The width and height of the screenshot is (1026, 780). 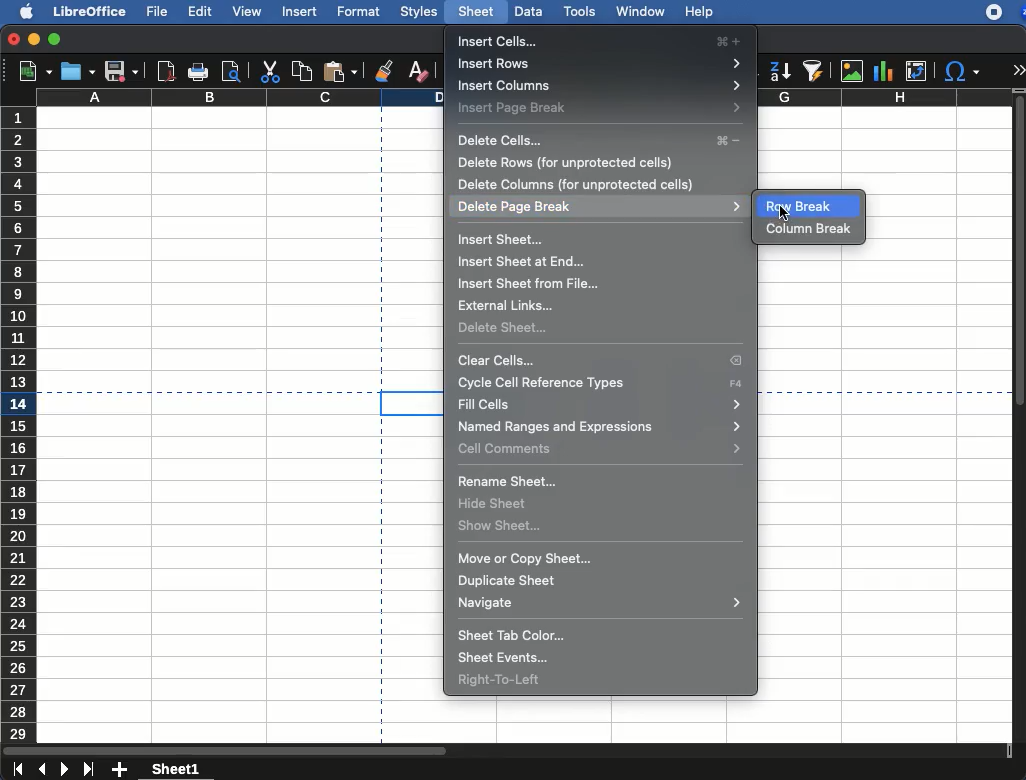 What do you see at coordinates (122, 71) in the screenshot?
I see `save` at bounding box center [122, 71].